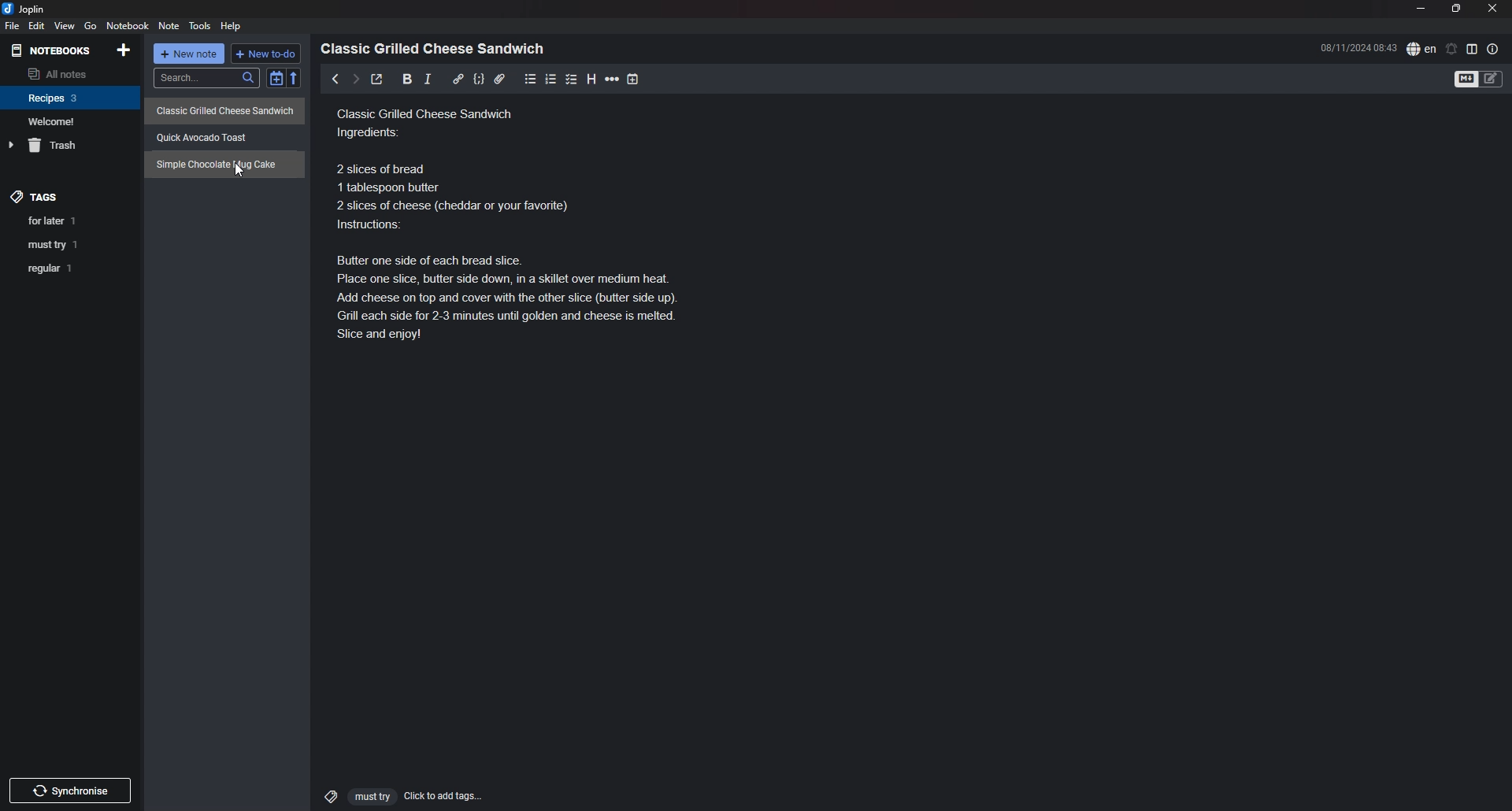  Describe the element at coordinates (35, 26) in the screenshot. I see `edit` at that location.